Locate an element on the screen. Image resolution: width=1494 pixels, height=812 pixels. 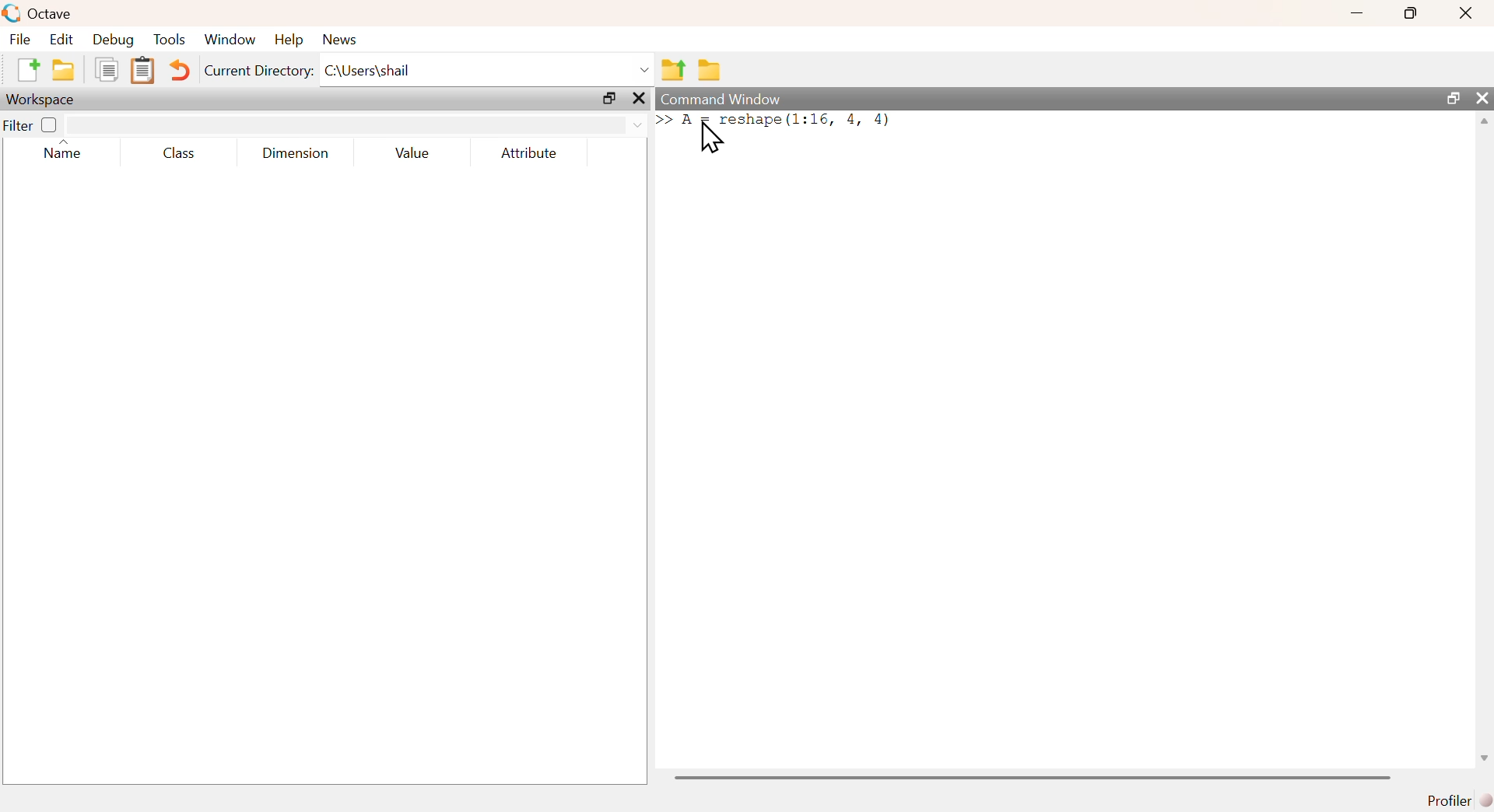
minimize is located at coordinates (1355, 15).